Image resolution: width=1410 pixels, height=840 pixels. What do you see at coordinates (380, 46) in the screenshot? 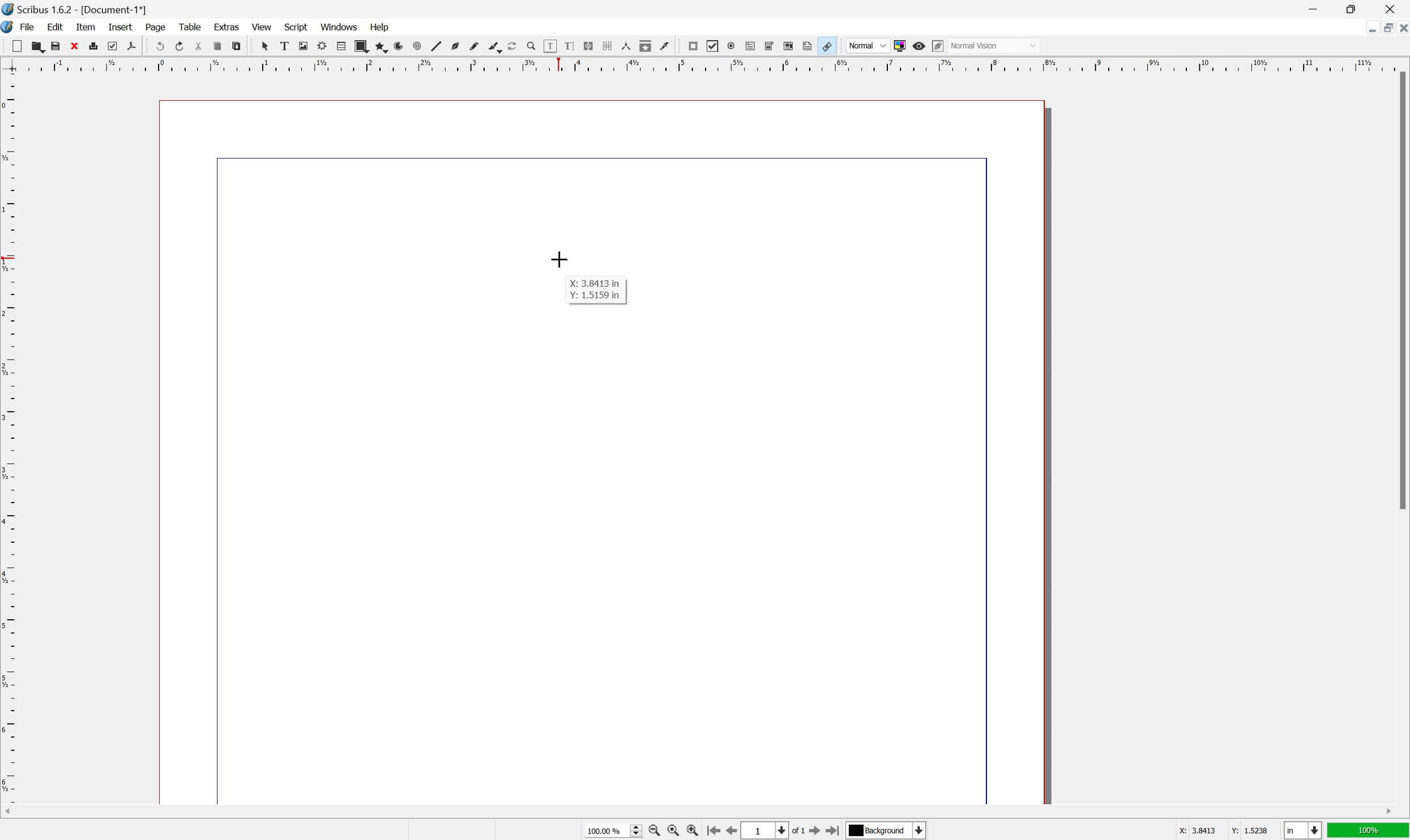
I see `polygon` at bounding box center [380, 46].